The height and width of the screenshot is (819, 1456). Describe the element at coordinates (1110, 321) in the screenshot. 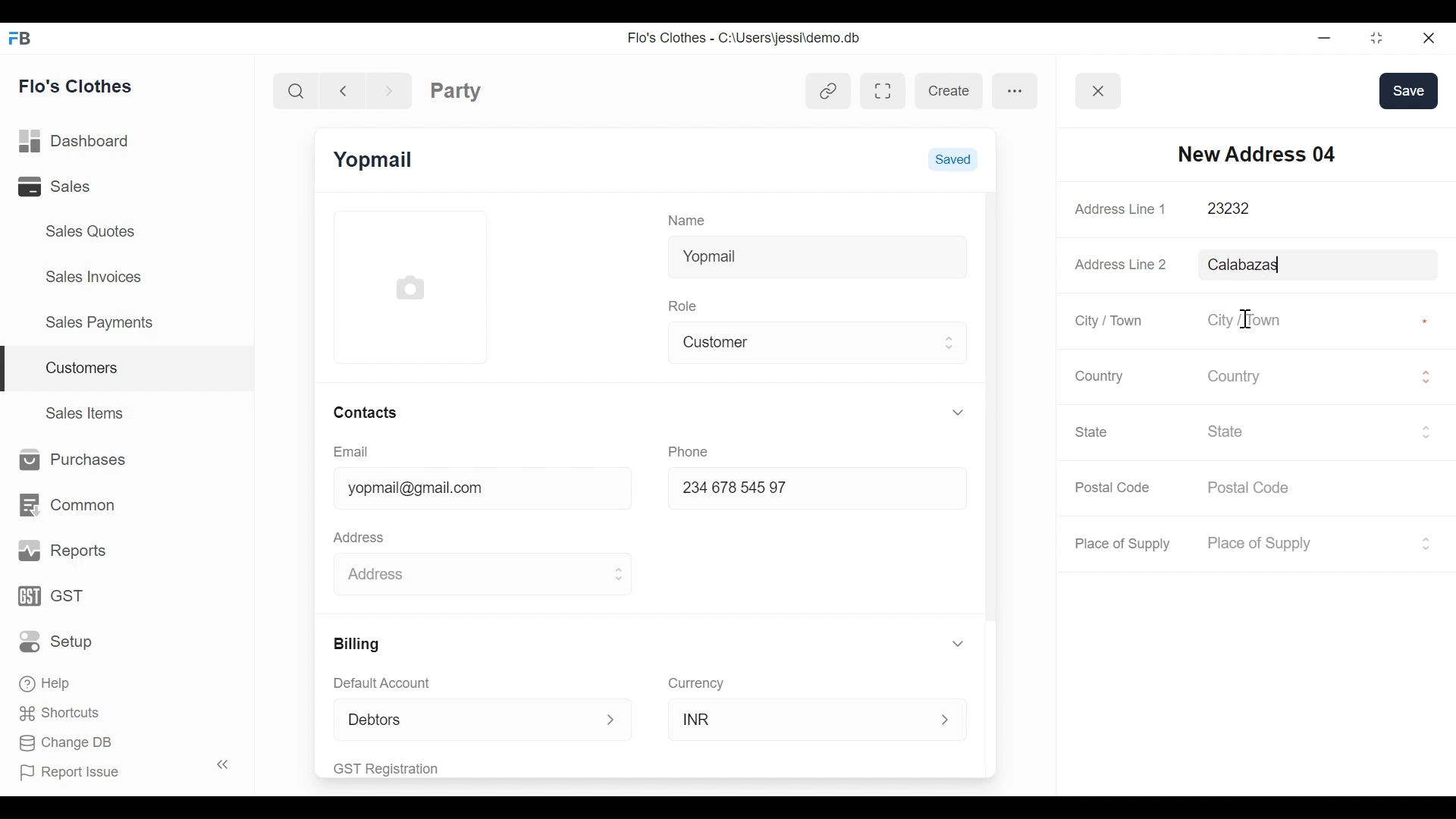

I see `City / Town` at that location.